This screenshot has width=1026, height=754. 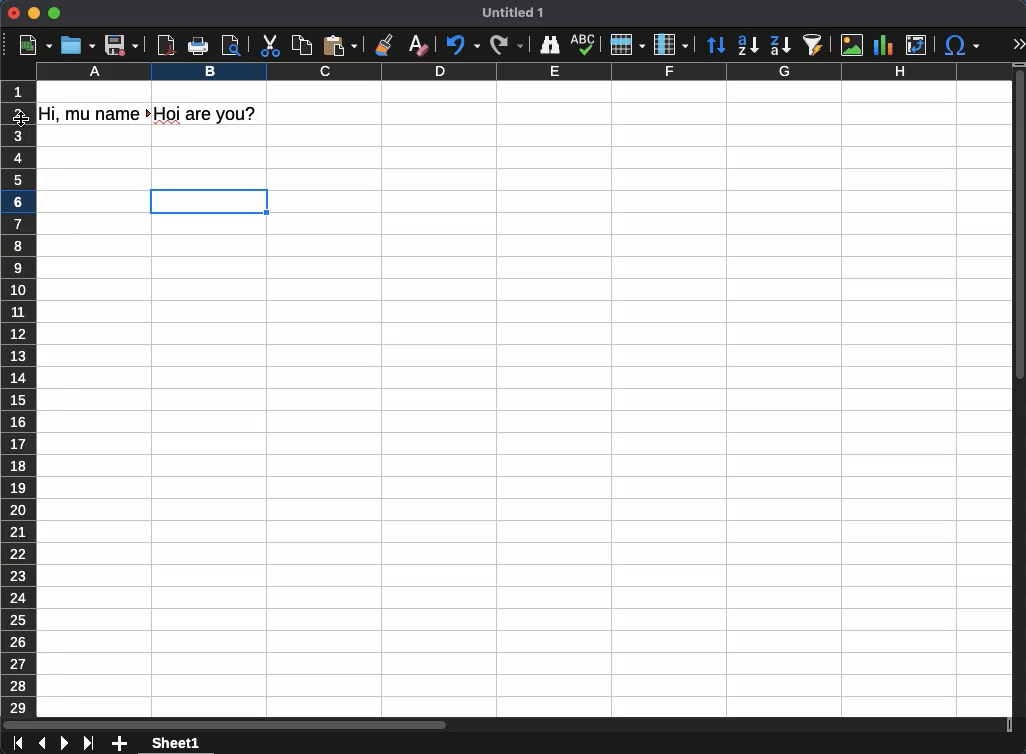 I want to click on clear formatting, so click(x=421, y=43).